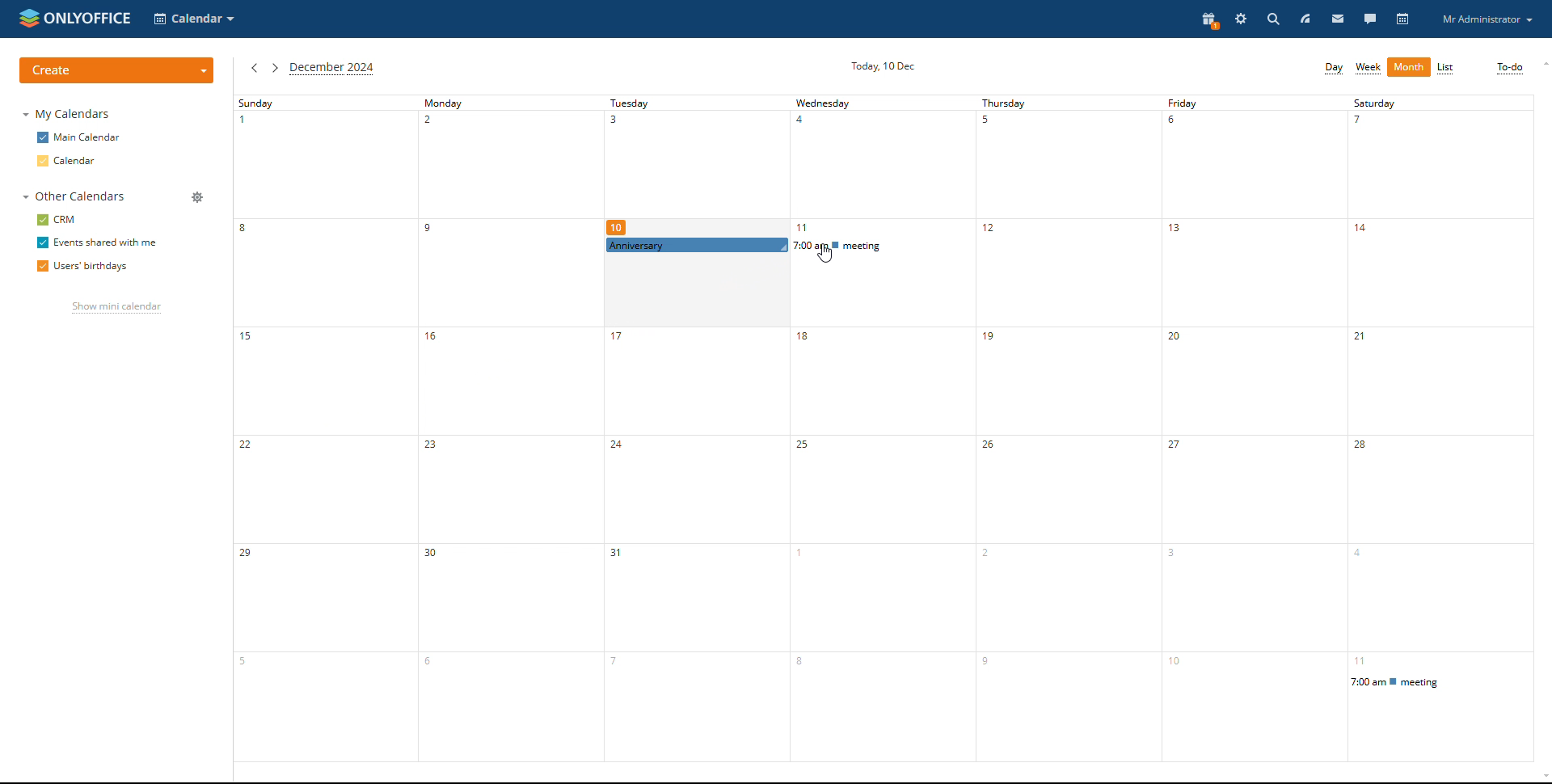  What do you see at coordinates (82, 162) in the screenshot?
I see `calendar` at bounding box center [82, 162].